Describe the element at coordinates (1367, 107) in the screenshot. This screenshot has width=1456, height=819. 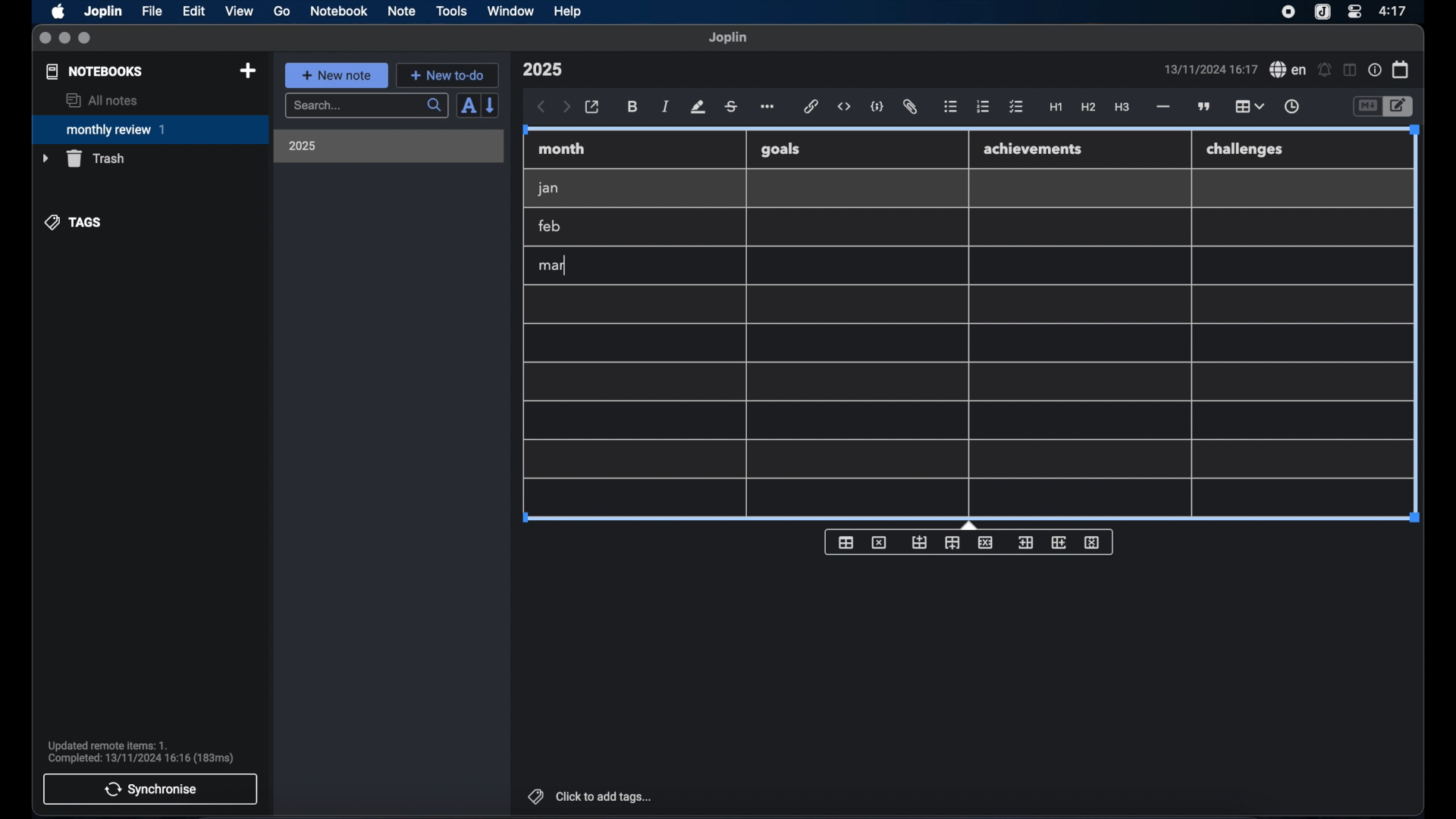
I see `toggle editor` at that location.